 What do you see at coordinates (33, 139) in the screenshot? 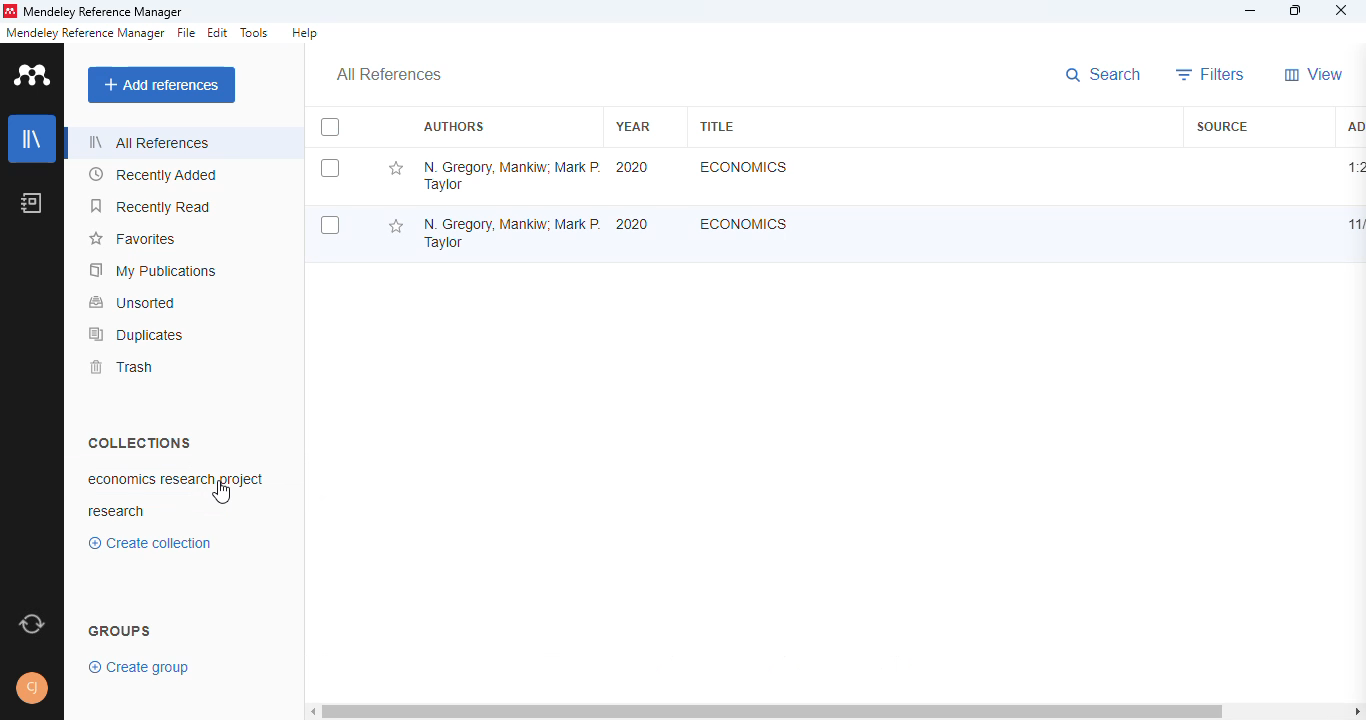
I see `library` at bounding box center [33, 139].